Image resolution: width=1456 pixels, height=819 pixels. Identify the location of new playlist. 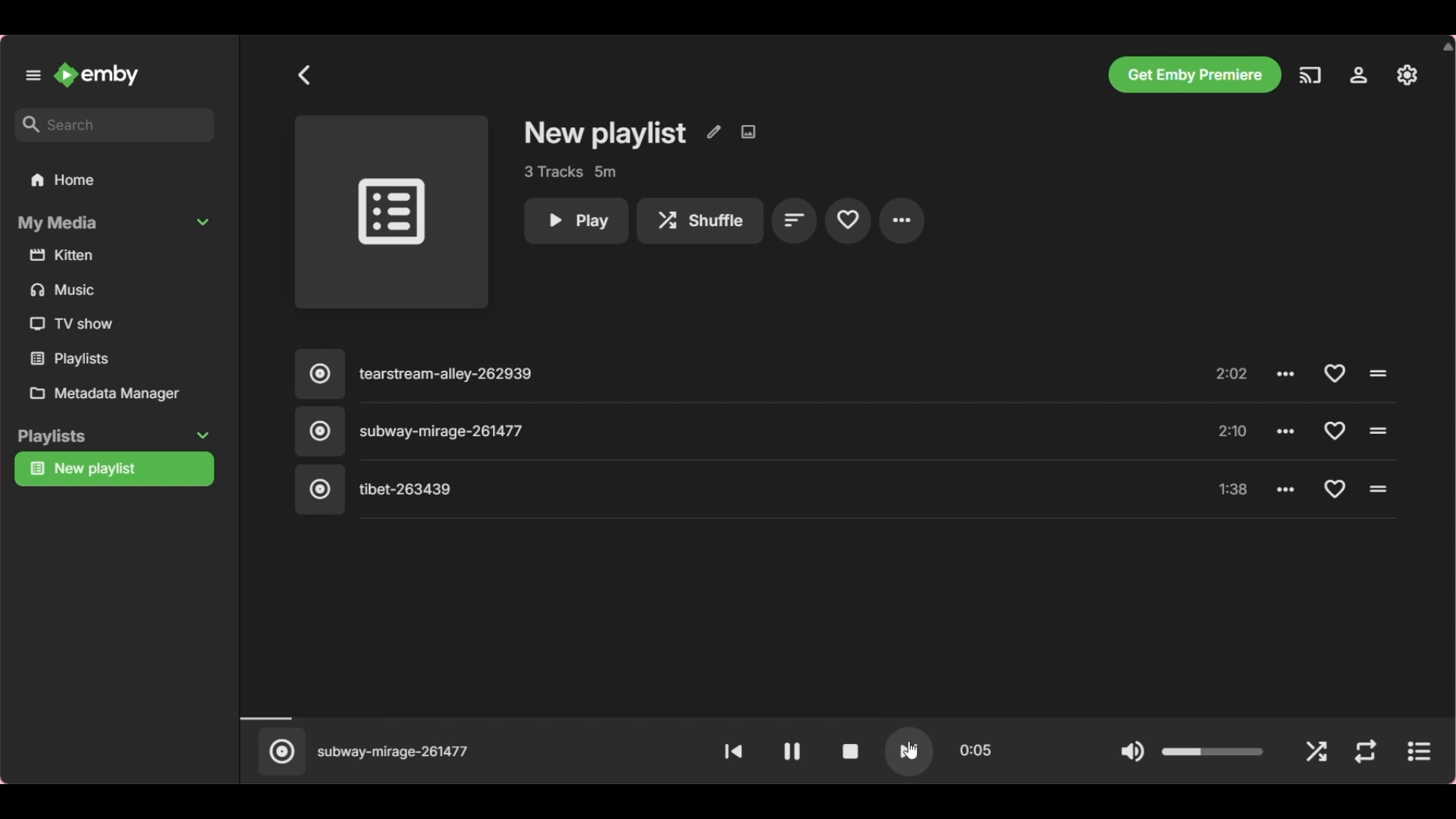
(90, 472).